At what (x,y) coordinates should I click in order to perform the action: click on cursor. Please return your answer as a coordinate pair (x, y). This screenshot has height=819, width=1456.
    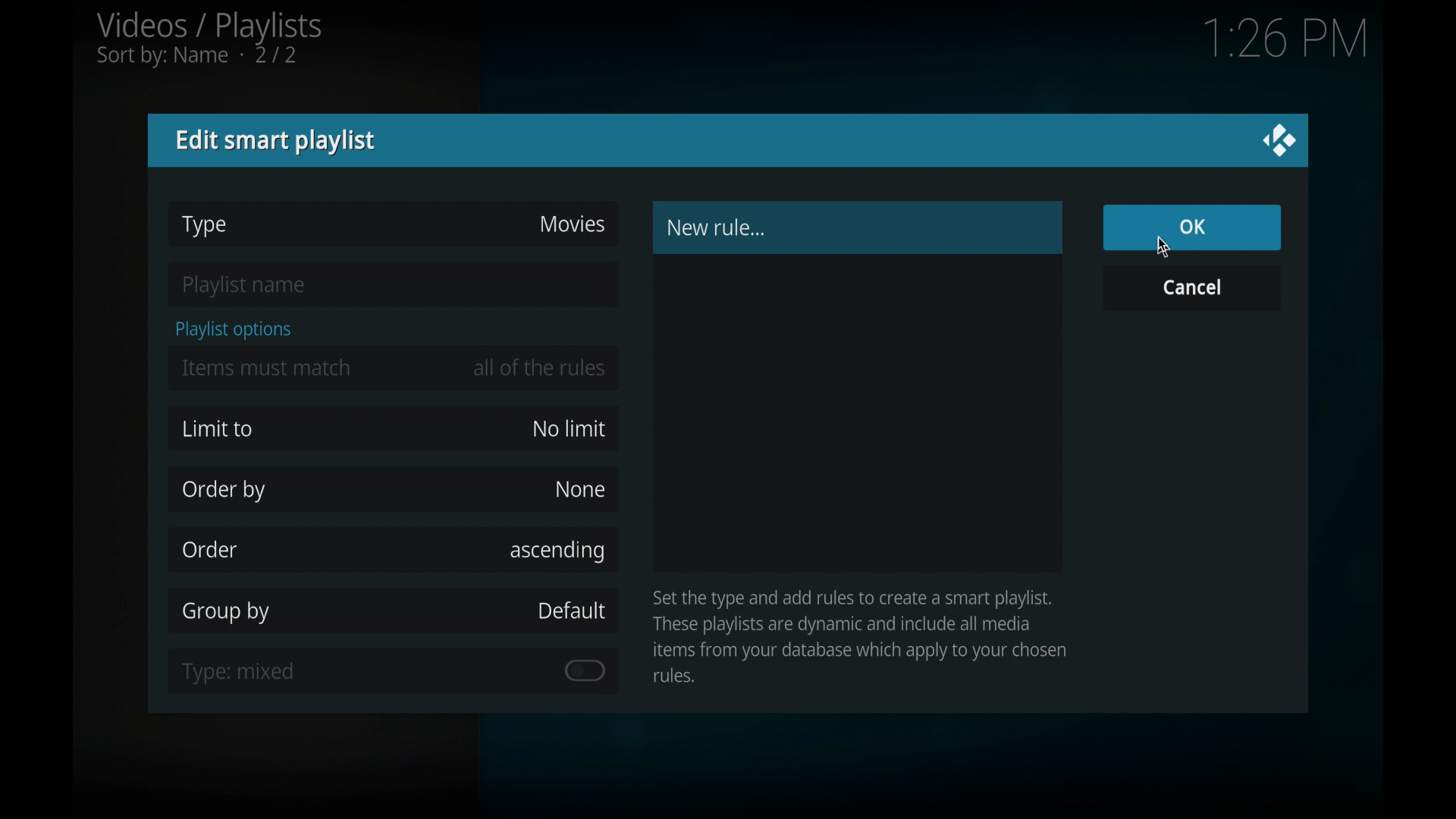
    Looking at the image, I should click on (1160, 248).